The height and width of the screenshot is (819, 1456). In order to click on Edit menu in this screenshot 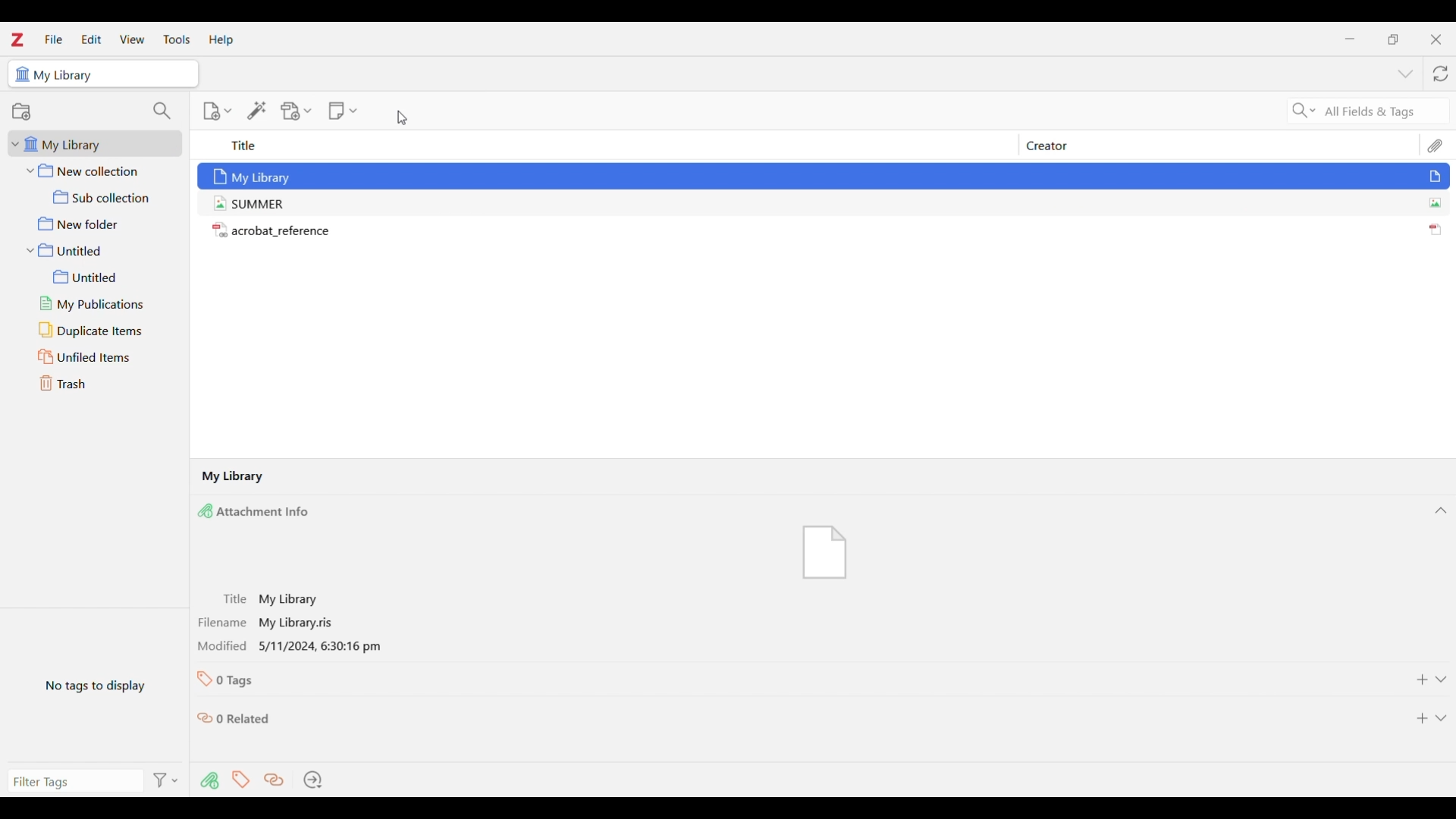, I will do `click(91, 39)`.